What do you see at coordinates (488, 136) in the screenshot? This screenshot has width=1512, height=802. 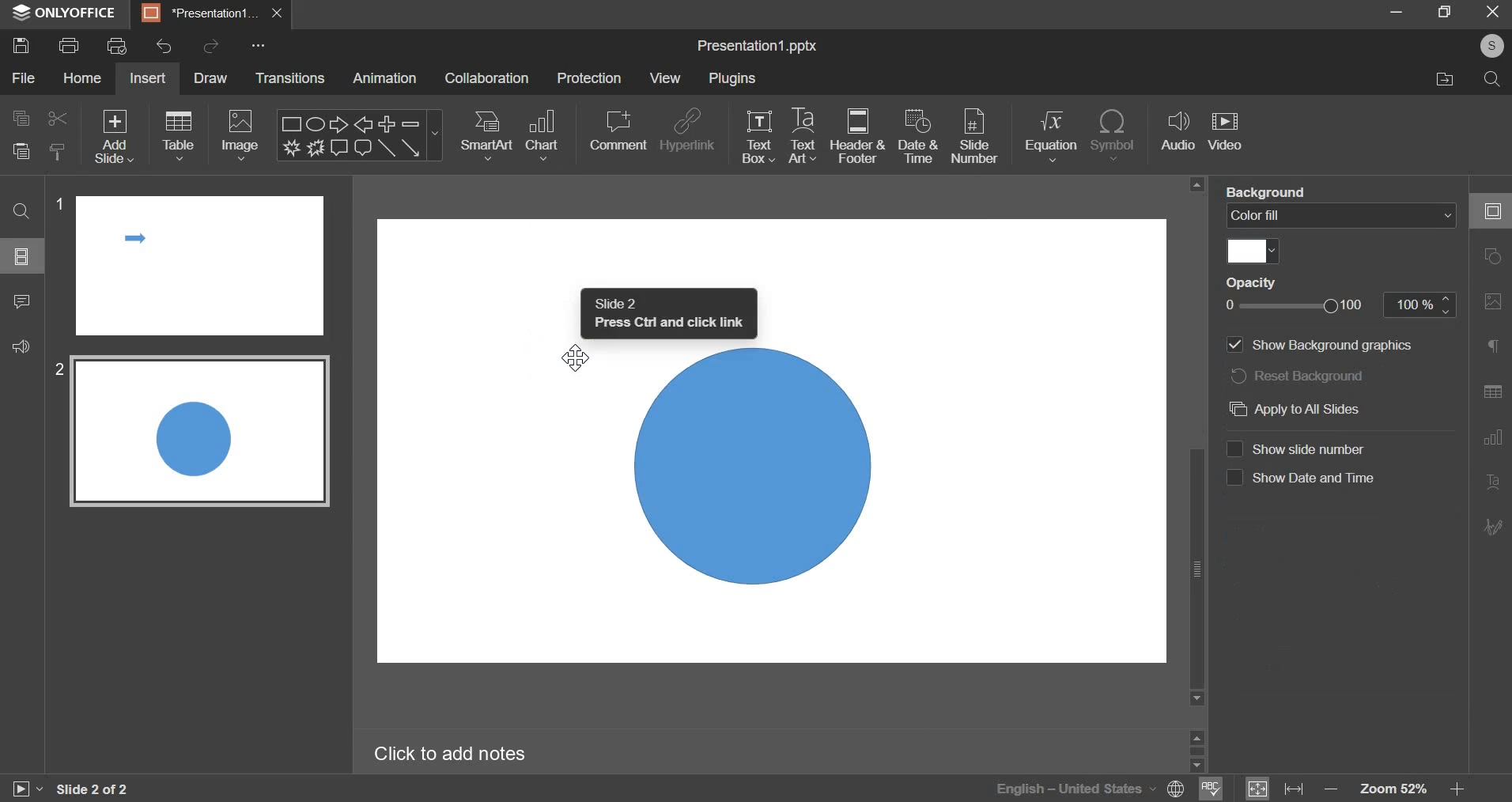 I see `smartart` at bounding box center [488, 136].